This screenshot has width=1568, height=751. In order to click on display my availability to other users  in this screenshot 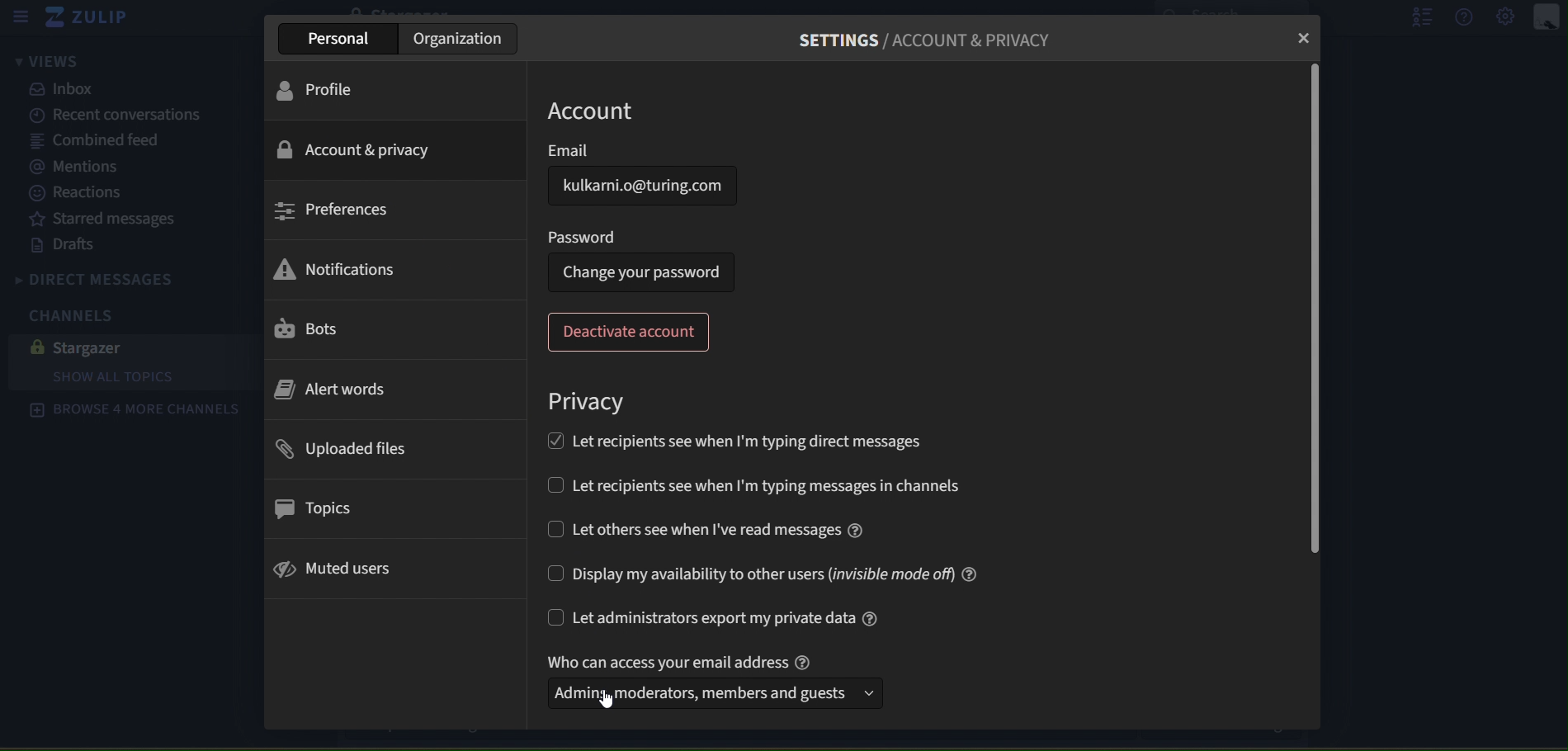, I will do `click(764, 574)`.